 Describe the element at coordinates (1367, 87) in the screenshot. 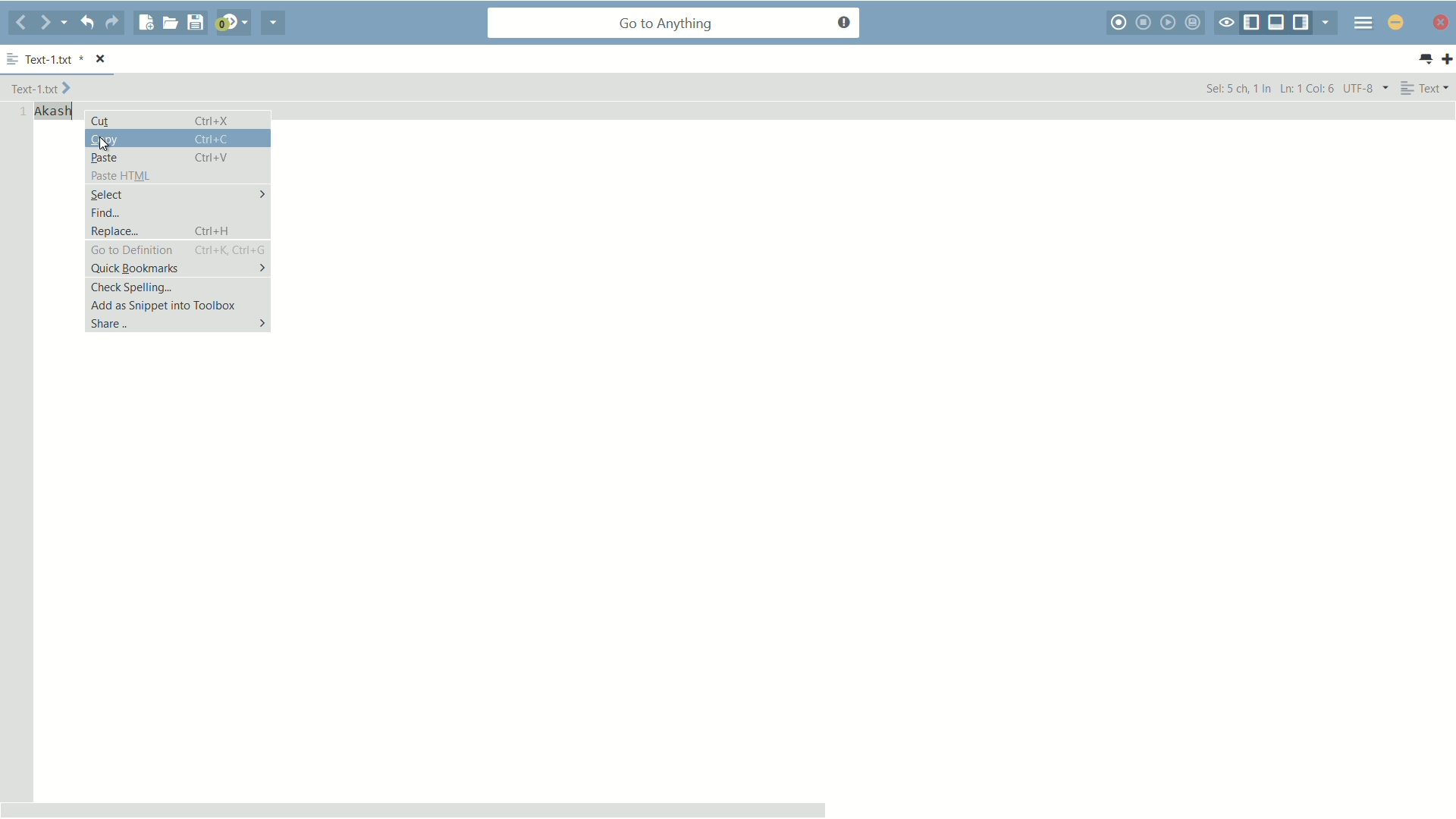

I see `line encoding` at that location.